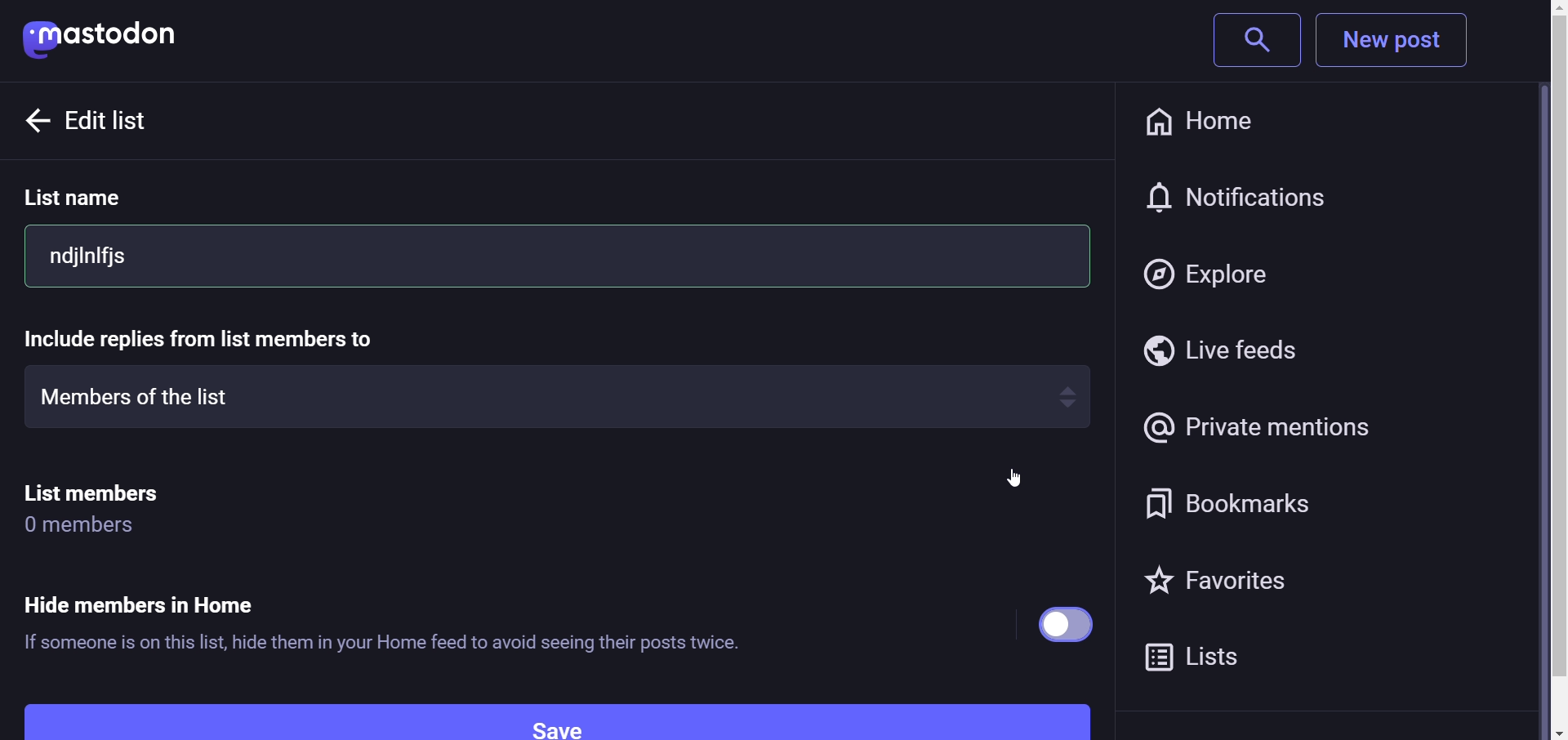 The image size is (1568, 740). What do you see at coordinates (112, 34) in the screenshot?
I see `mastodon` at bounding box center [112, 34].